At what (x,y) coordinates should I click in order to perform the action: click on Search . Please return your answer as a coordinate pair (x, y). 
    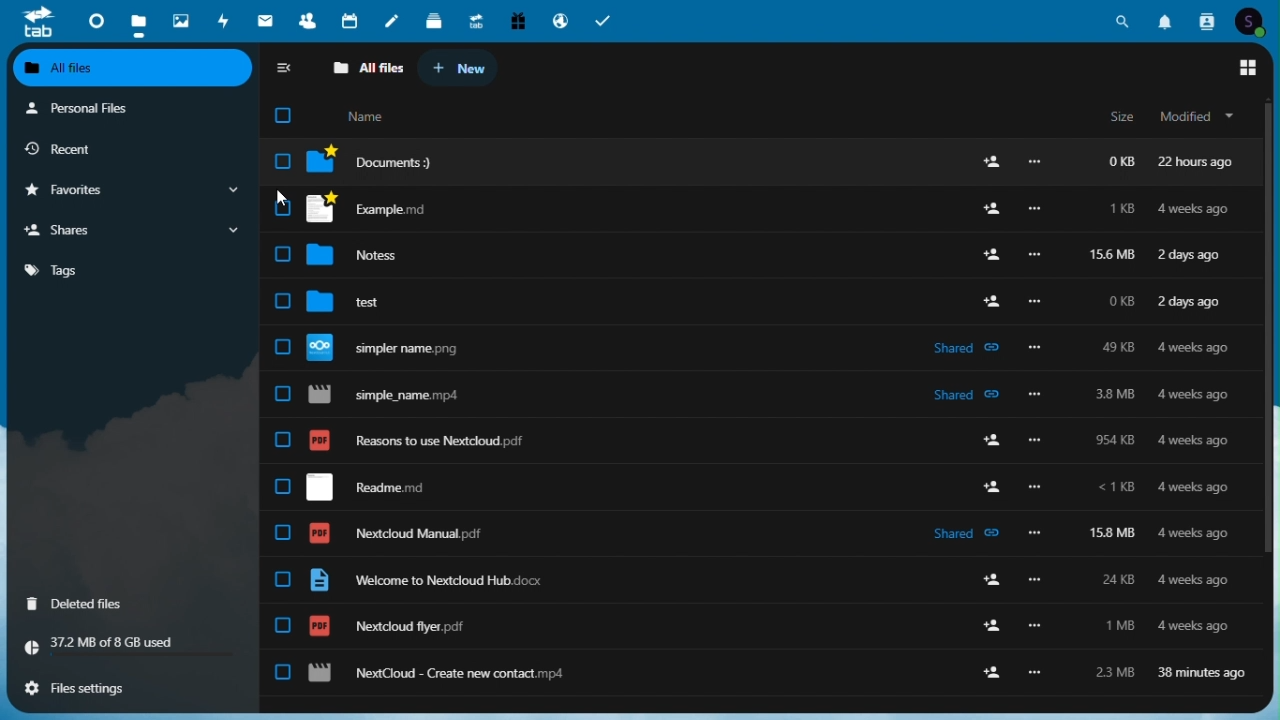
    Looking at the image, I should click on (1122, 21).